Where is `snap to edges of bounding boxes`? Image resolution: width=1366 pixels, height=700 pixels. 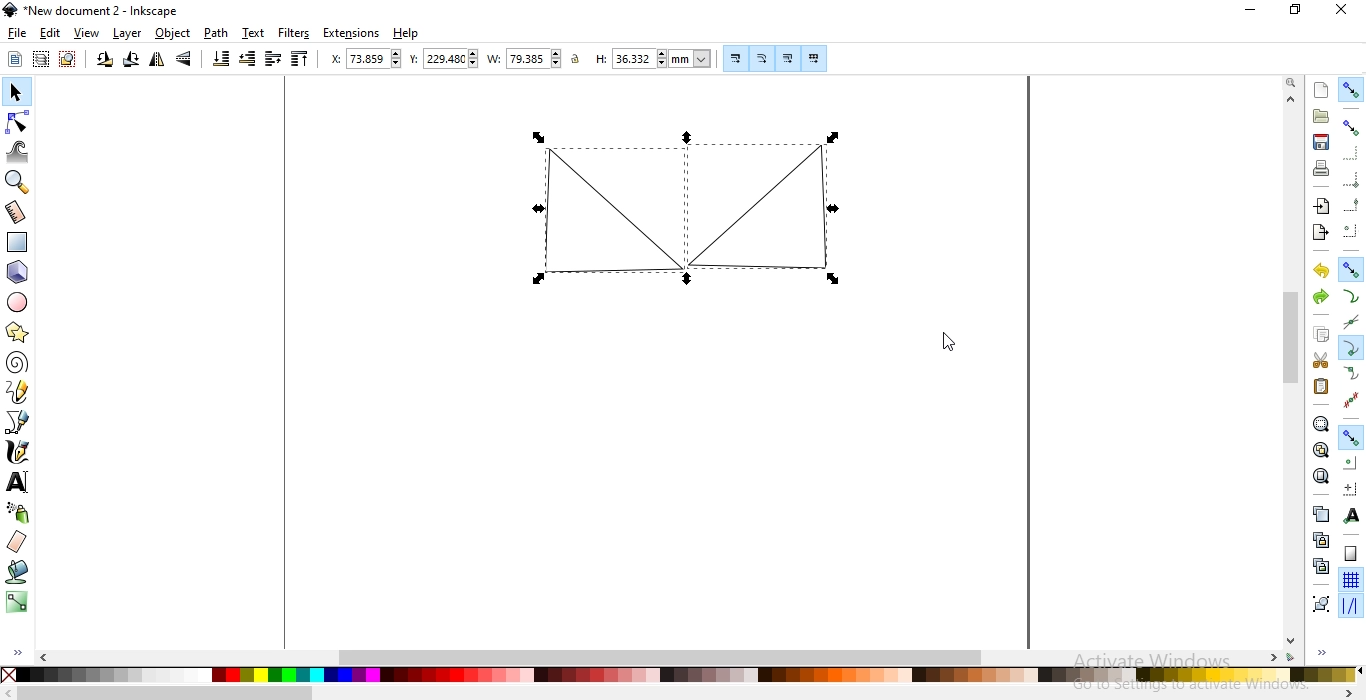 snap to edges of bounding boxes is located at coordinates (1353, 153).